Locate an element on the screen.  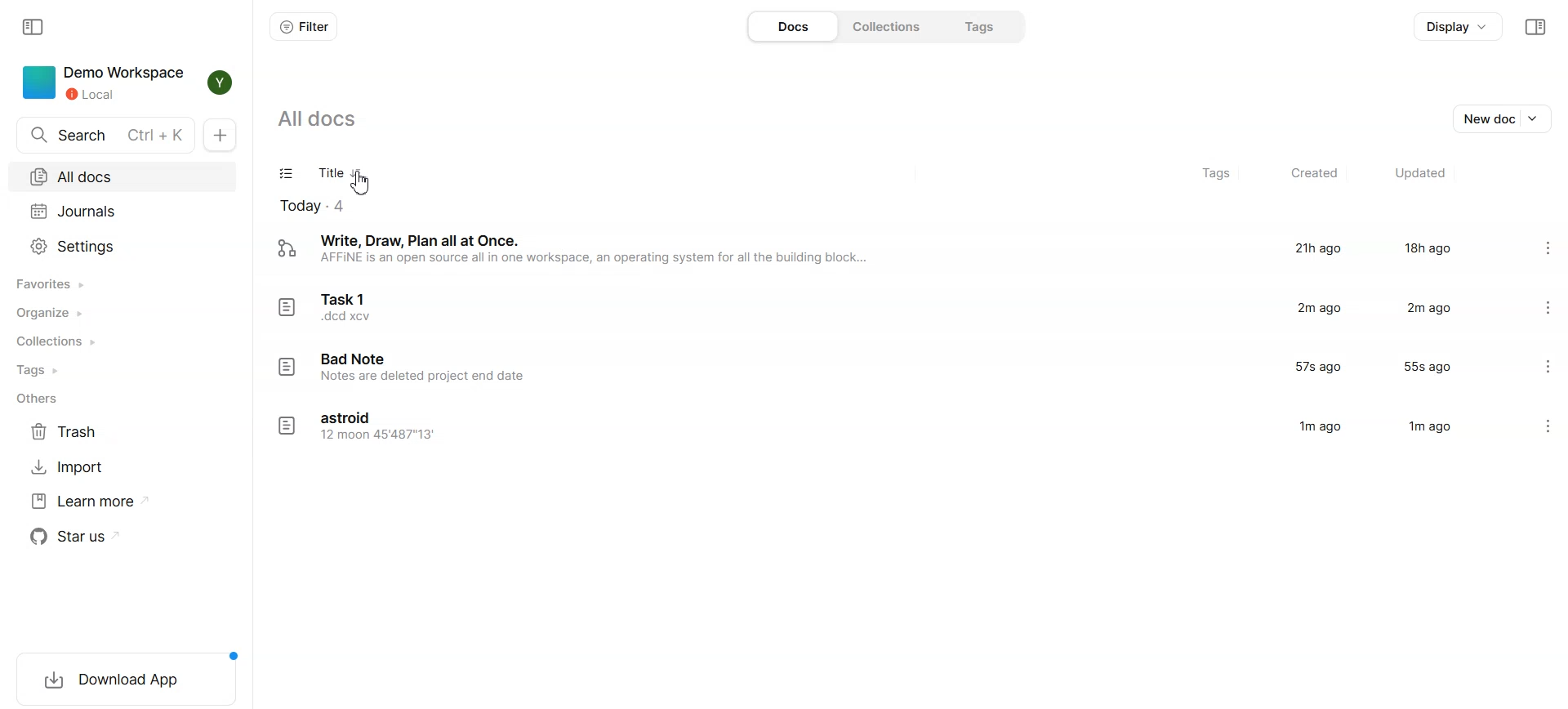
Bad Note is located at coordinates (353, 359).